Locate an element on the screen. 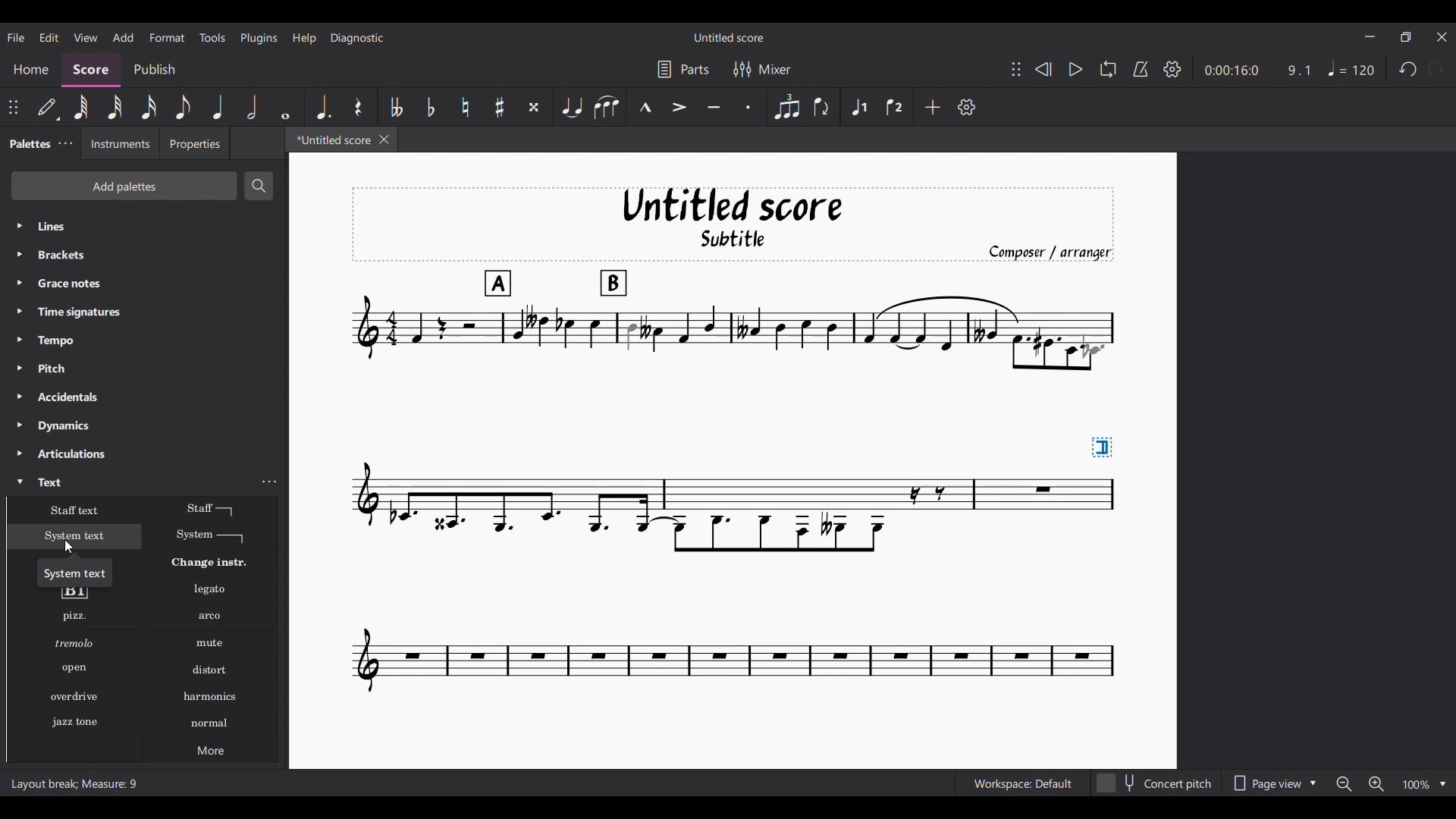 This screenshot has width=1456, height=819. Mixer settings is located at coordinates (762, 70).